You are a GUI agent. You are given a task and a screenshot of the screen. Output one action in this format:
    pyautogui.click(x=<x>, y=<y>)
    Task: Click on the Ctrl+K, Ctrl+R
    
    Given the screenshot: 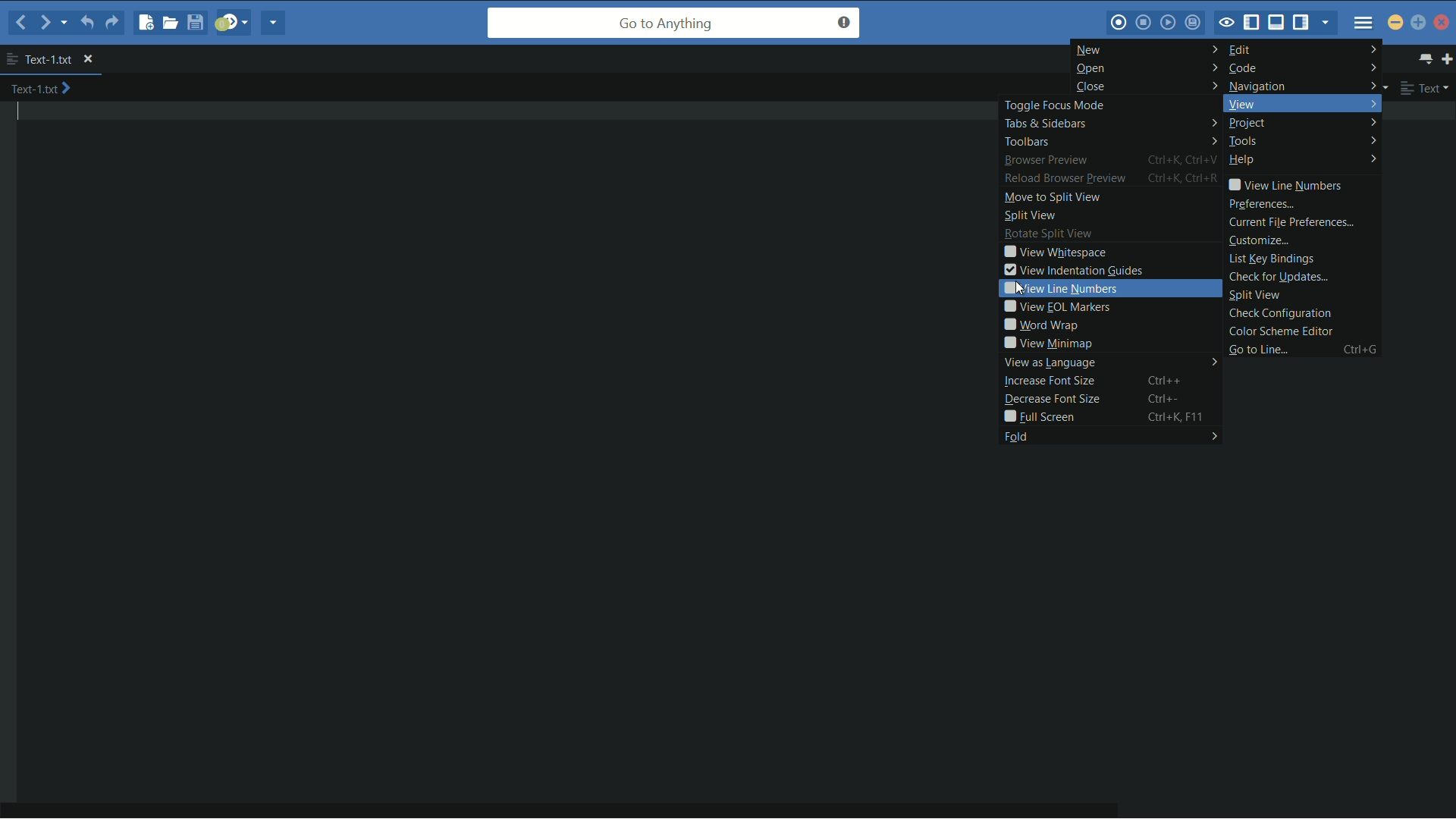 What is the action you would take?
    pyautogui.click(x=1185, y=180)
    